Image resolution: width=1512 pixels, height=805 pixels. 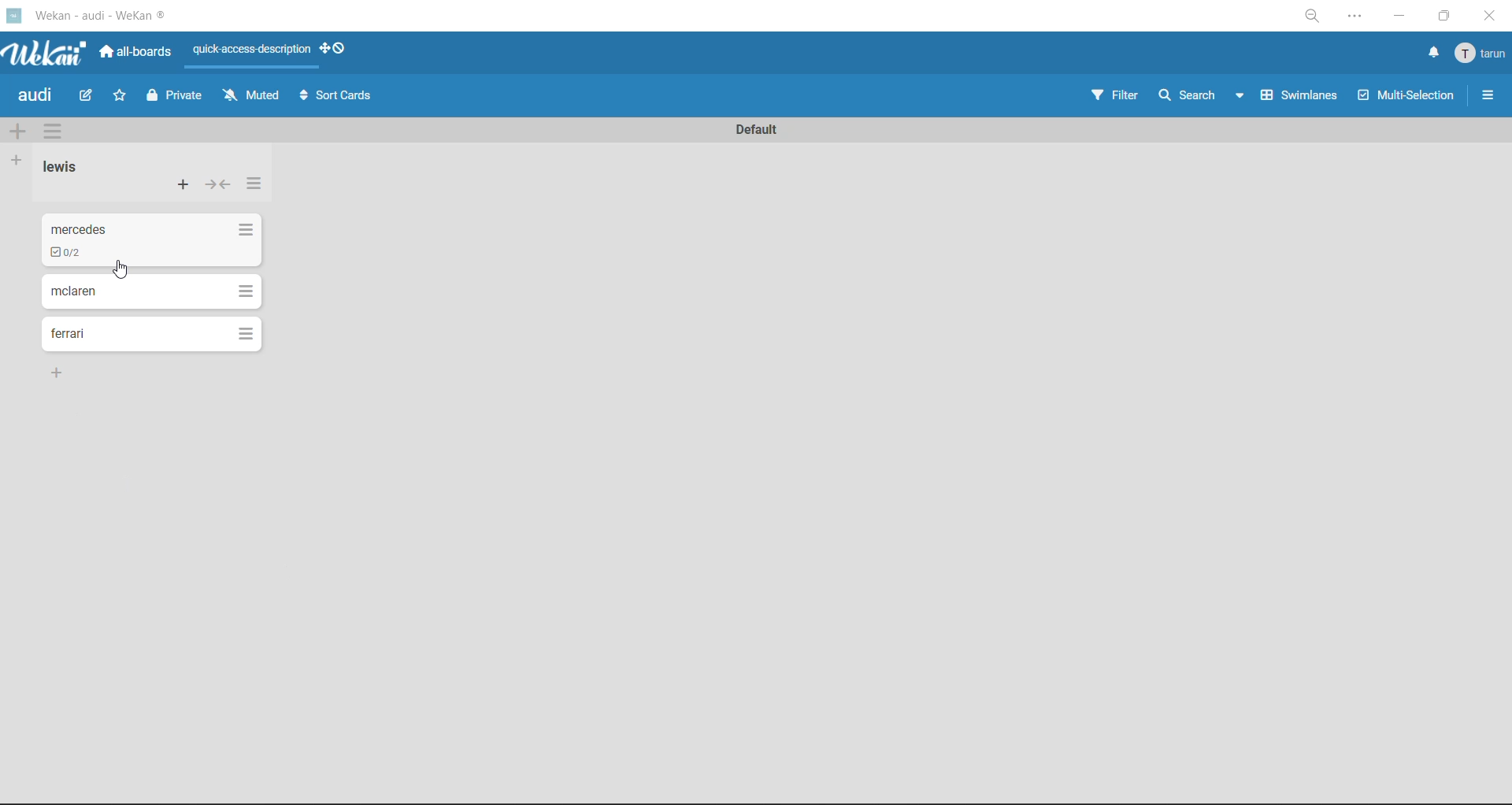 What do you see at coordinates (125, 97) in the screenshot?
I see `star` at bounding box center [125, 97].